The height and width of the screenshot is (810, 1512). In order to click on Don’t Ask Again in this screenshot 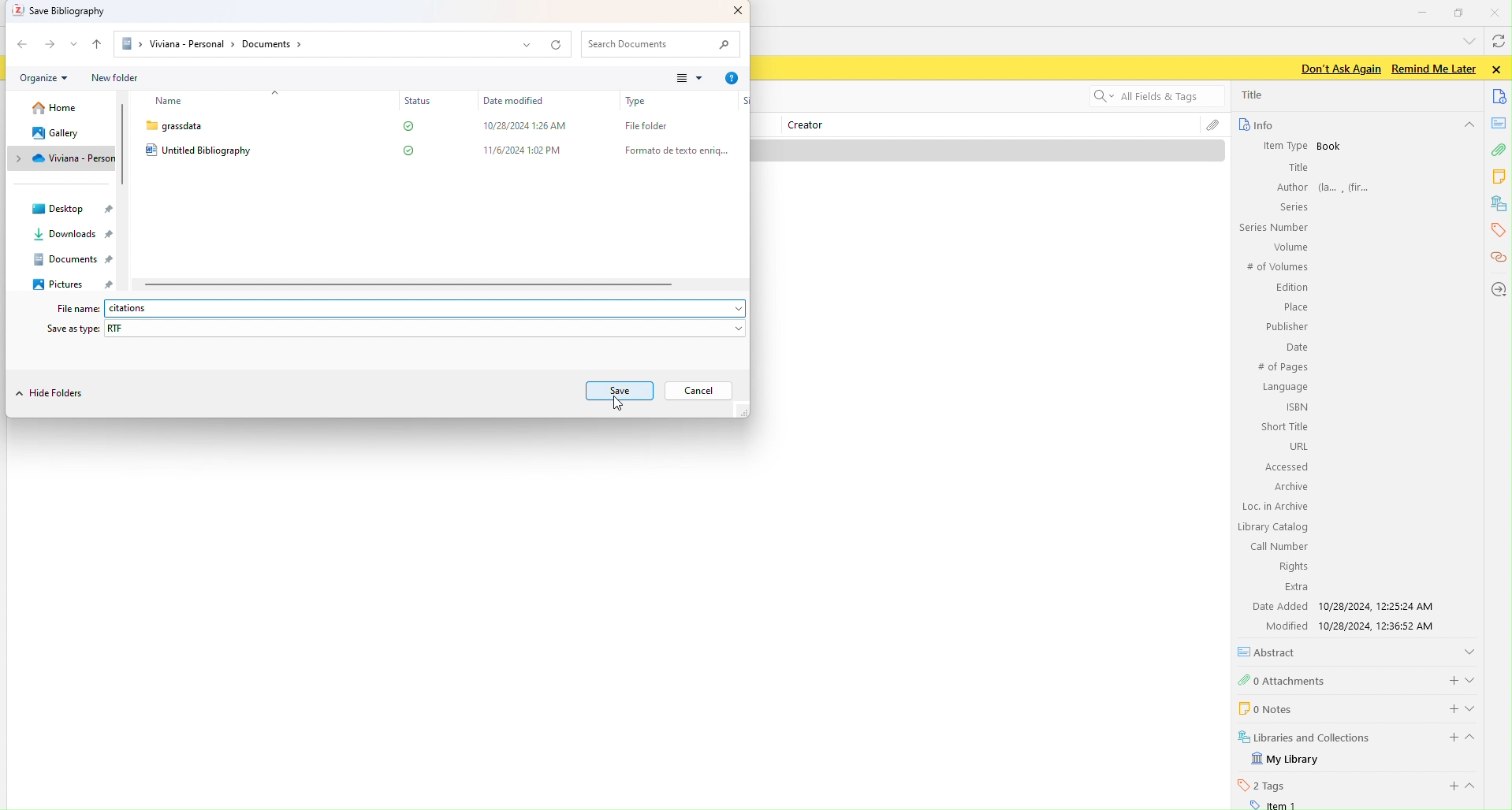, I will do `click(1336, 69)`.